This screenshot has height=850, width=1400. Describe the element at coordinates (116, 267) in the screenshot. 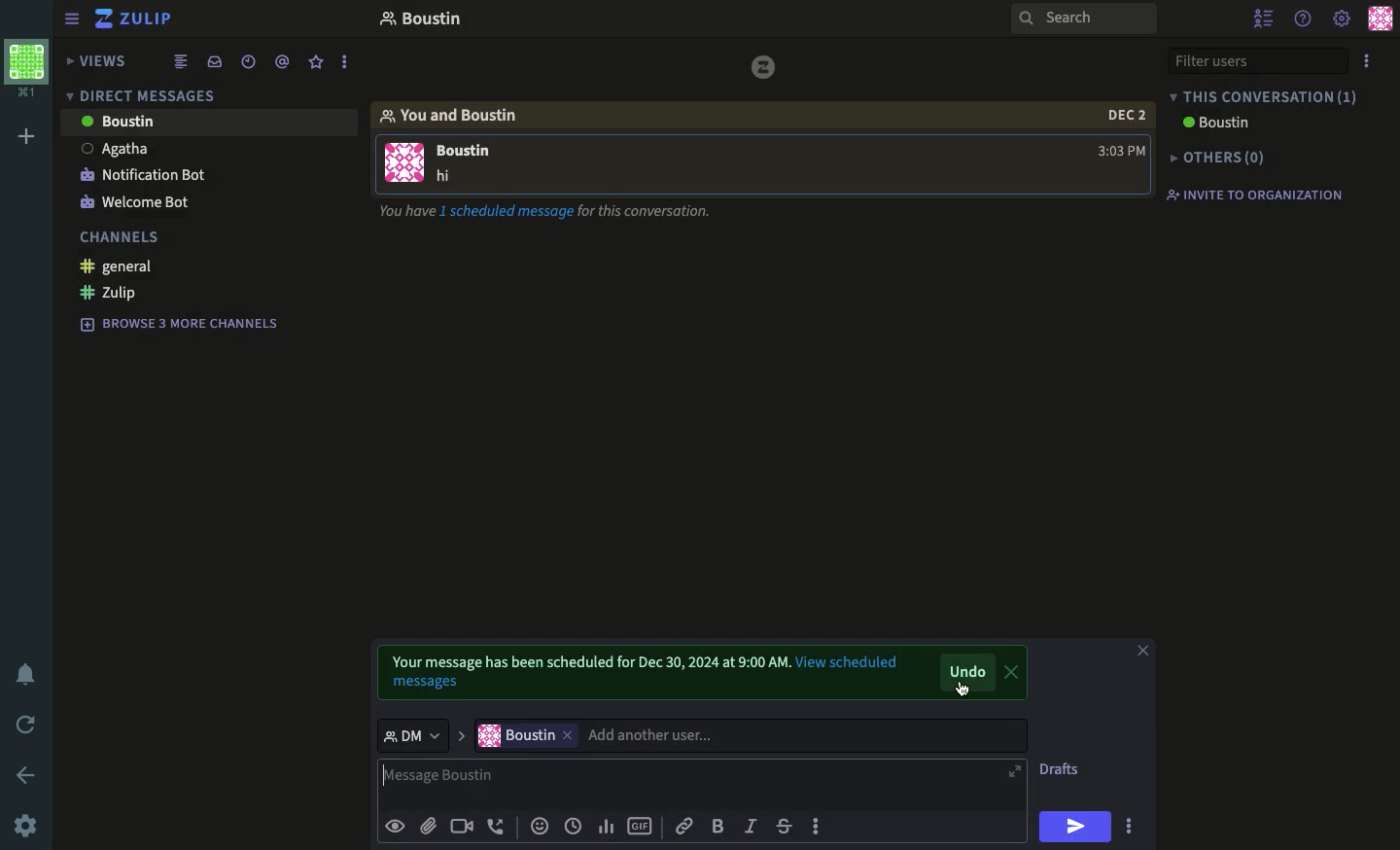

I see `general` at that location.